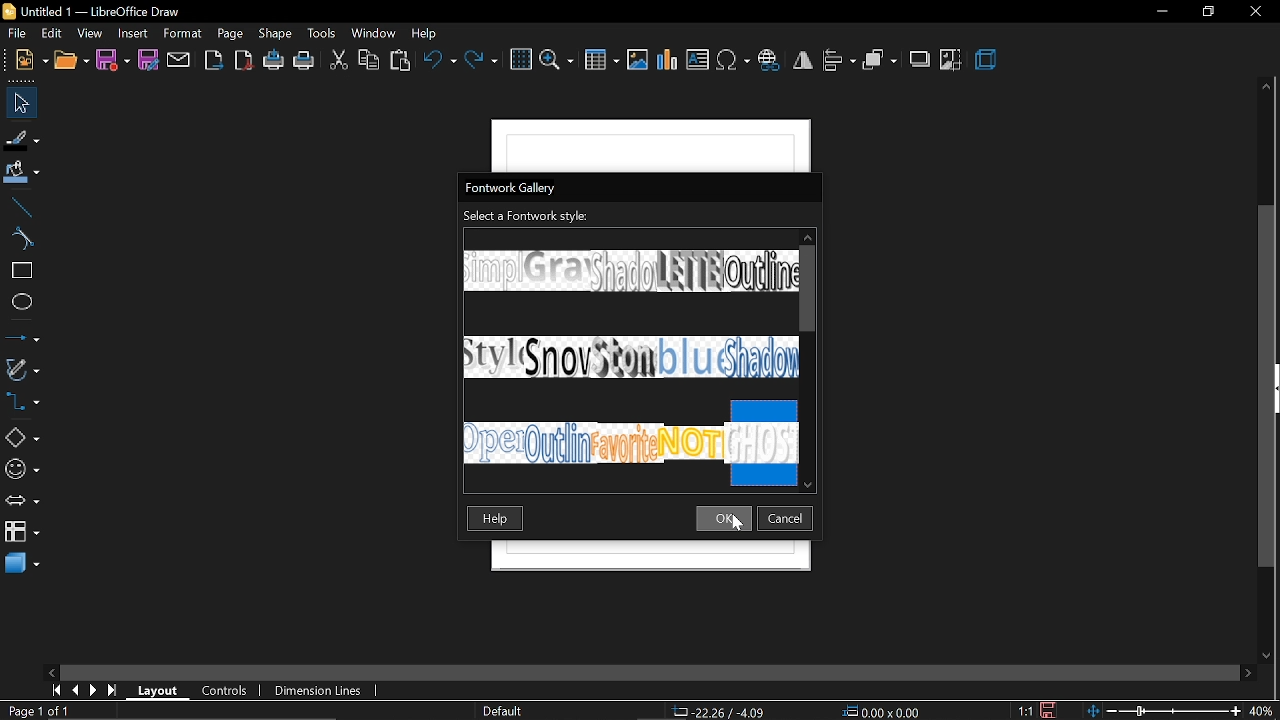 The width and height of the screenshot is (1280, 720). Describe the element at coordinates (803, 60) in the screenshot. I see `flip` at that location.